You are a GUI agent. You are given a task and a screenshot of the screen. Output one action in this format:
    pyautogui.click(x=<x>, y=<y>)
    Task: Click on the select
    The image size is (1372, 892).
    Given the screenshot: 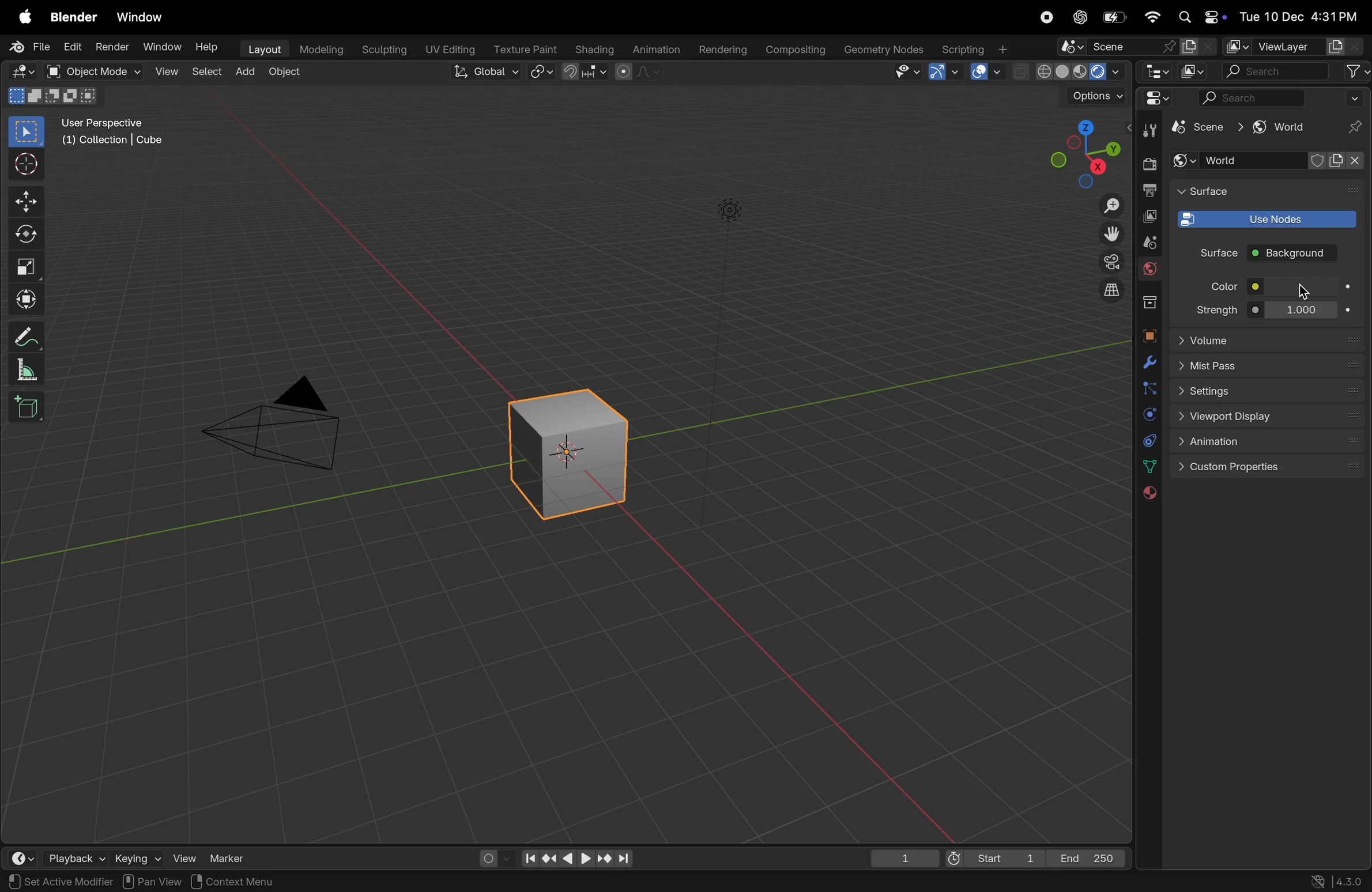 What is the action you would take?
    pyautogui.click(x=203, y=73)
    